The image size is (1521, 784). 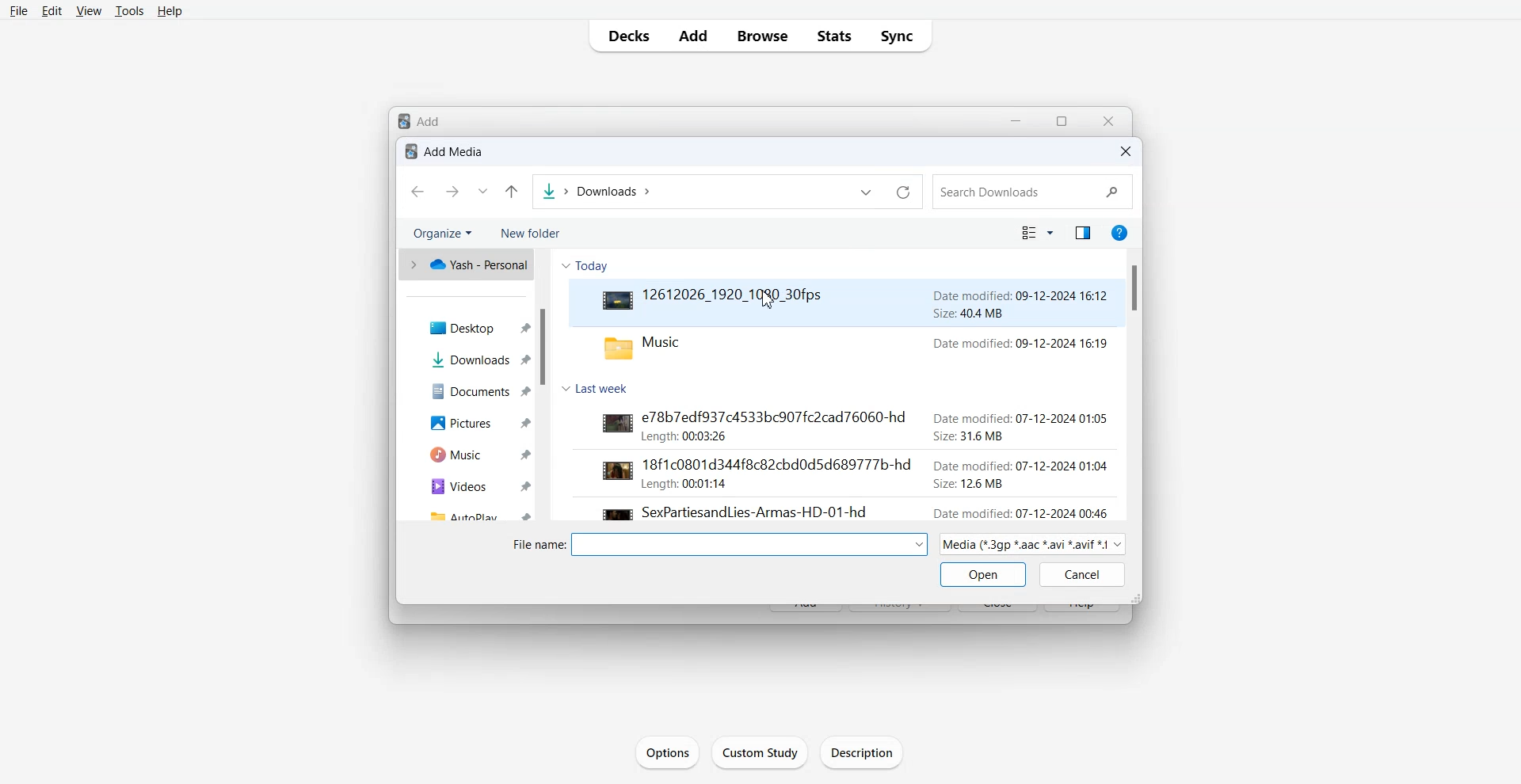 What do you see at coordinates (1082, 233) in the screenshot?
I see `Show the preview pane` at bounding box center [1082, 233].